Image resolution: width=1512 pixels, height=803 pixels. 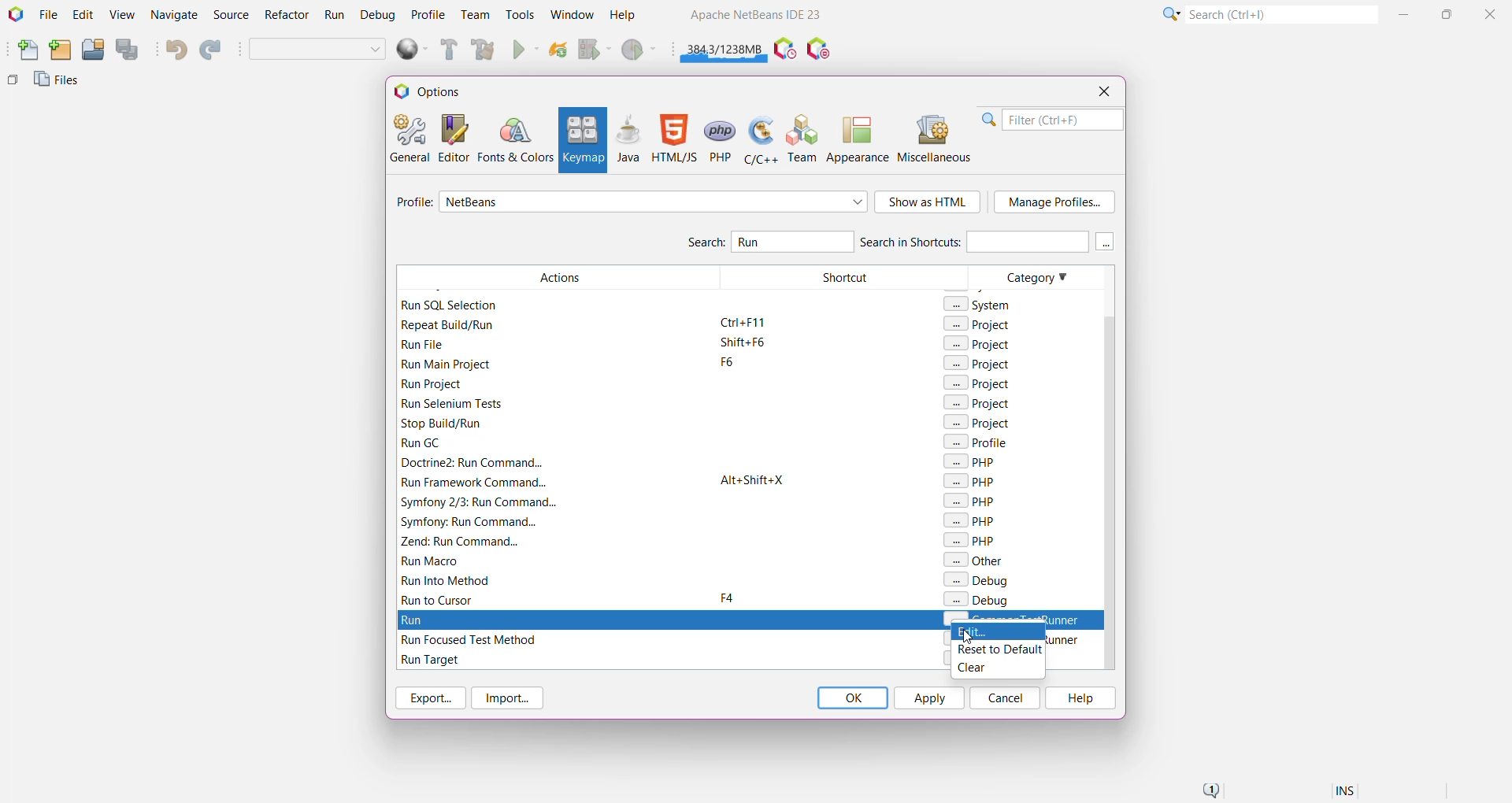 I want to click on Pause IDE profiling and take a Snapshot, so click(x=785, y=50).